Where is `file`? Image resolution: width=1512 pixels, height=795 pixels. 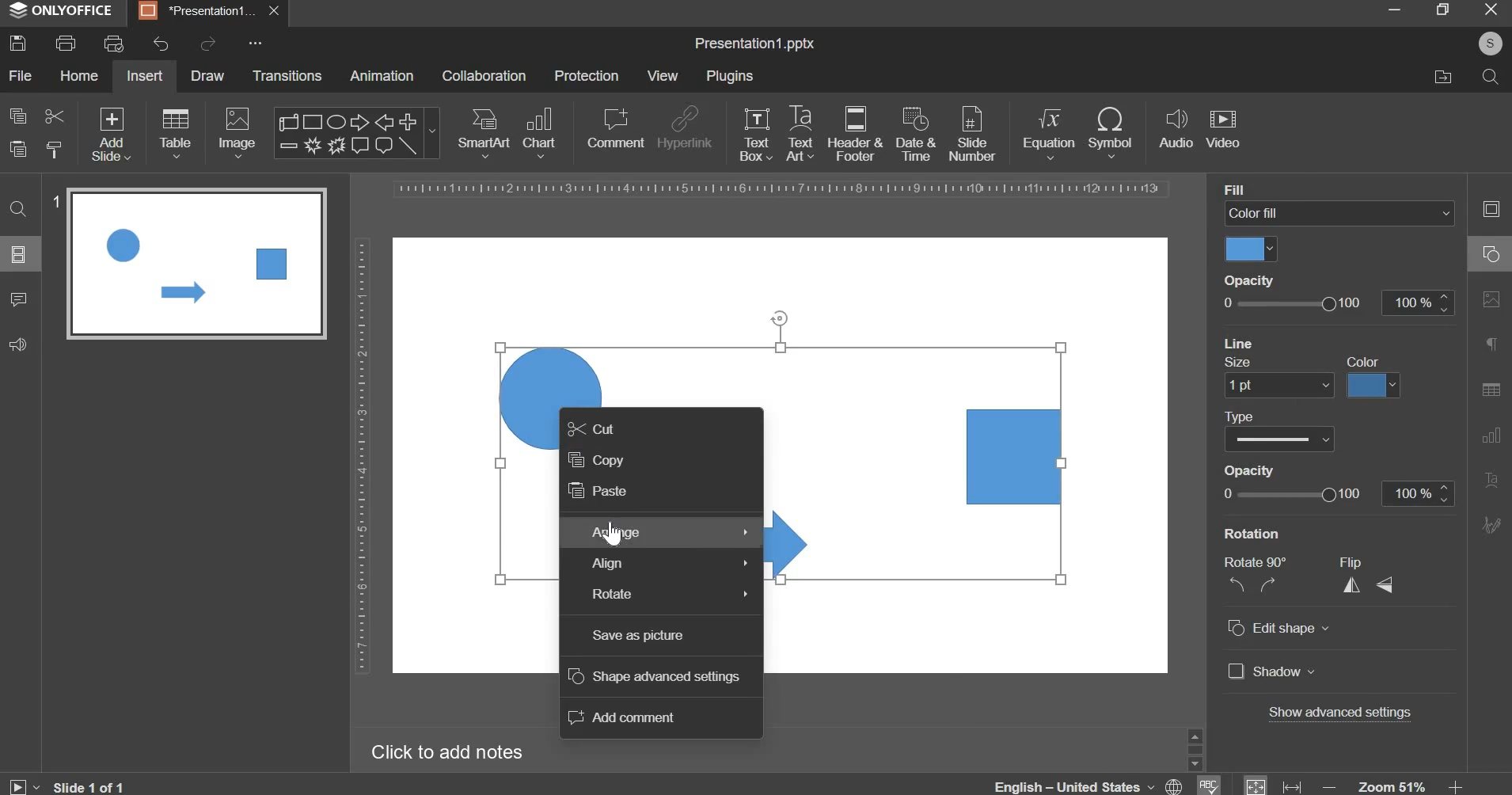 file is located at coordinates (20, 75).